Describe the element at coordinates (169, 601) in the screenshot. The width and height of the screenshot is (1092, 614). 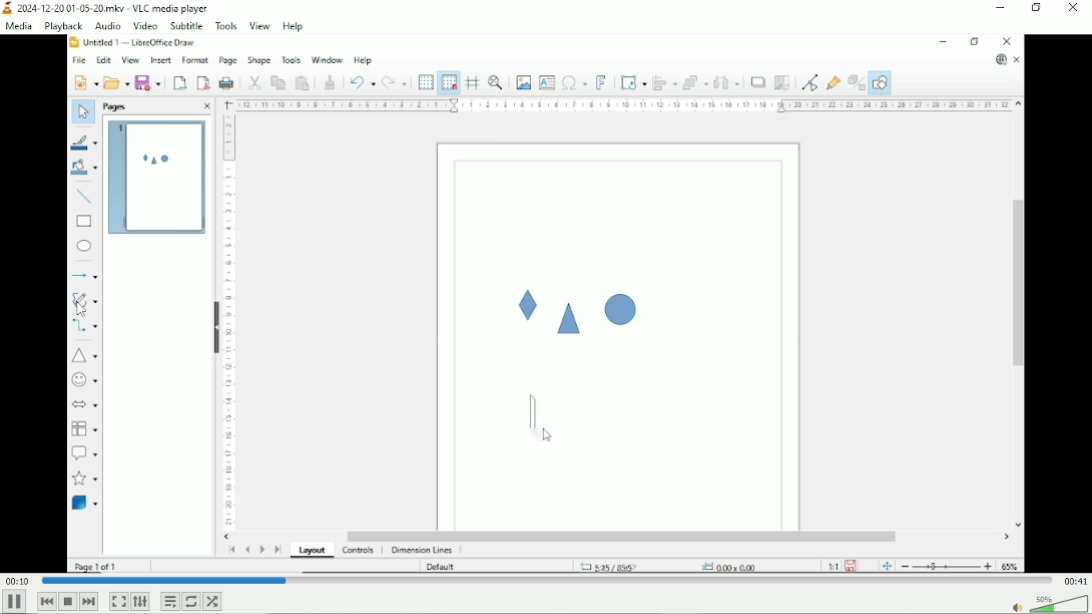
I see `Toggle playlist` at that location.